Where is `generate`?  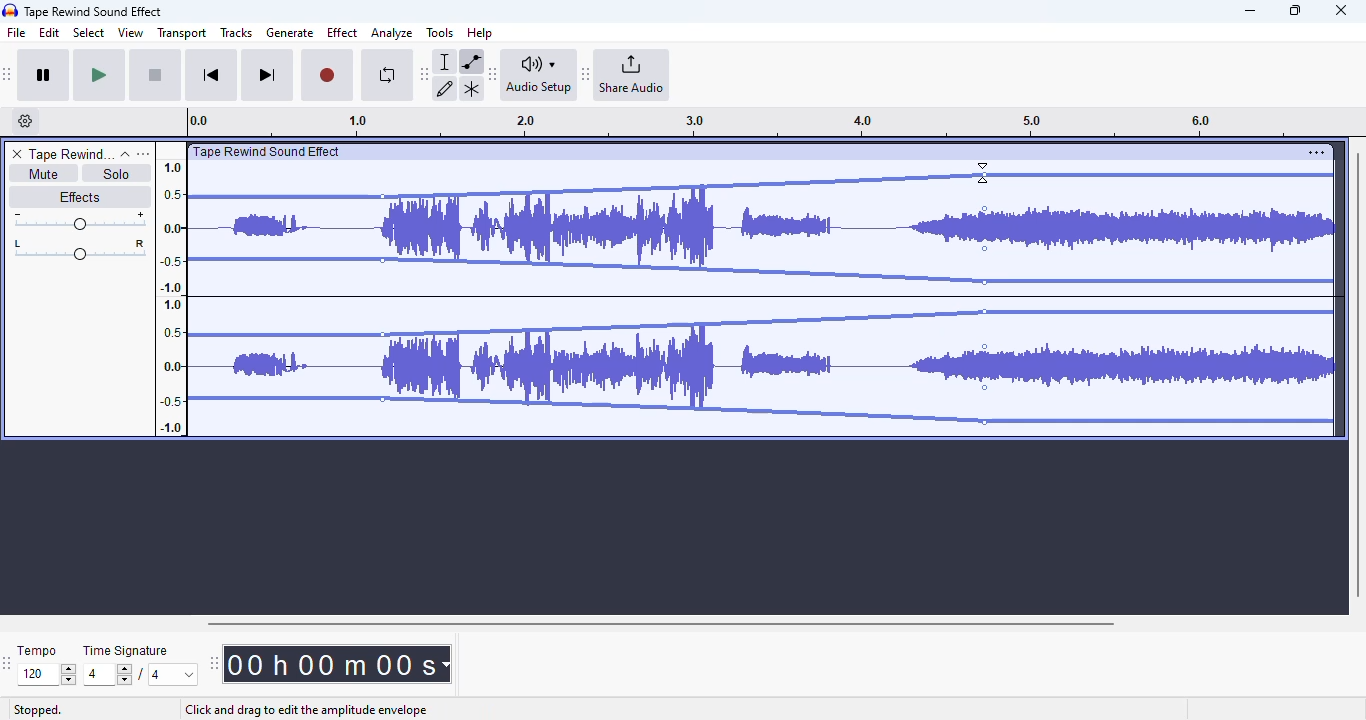 generate is located at coordinates (290, 33).